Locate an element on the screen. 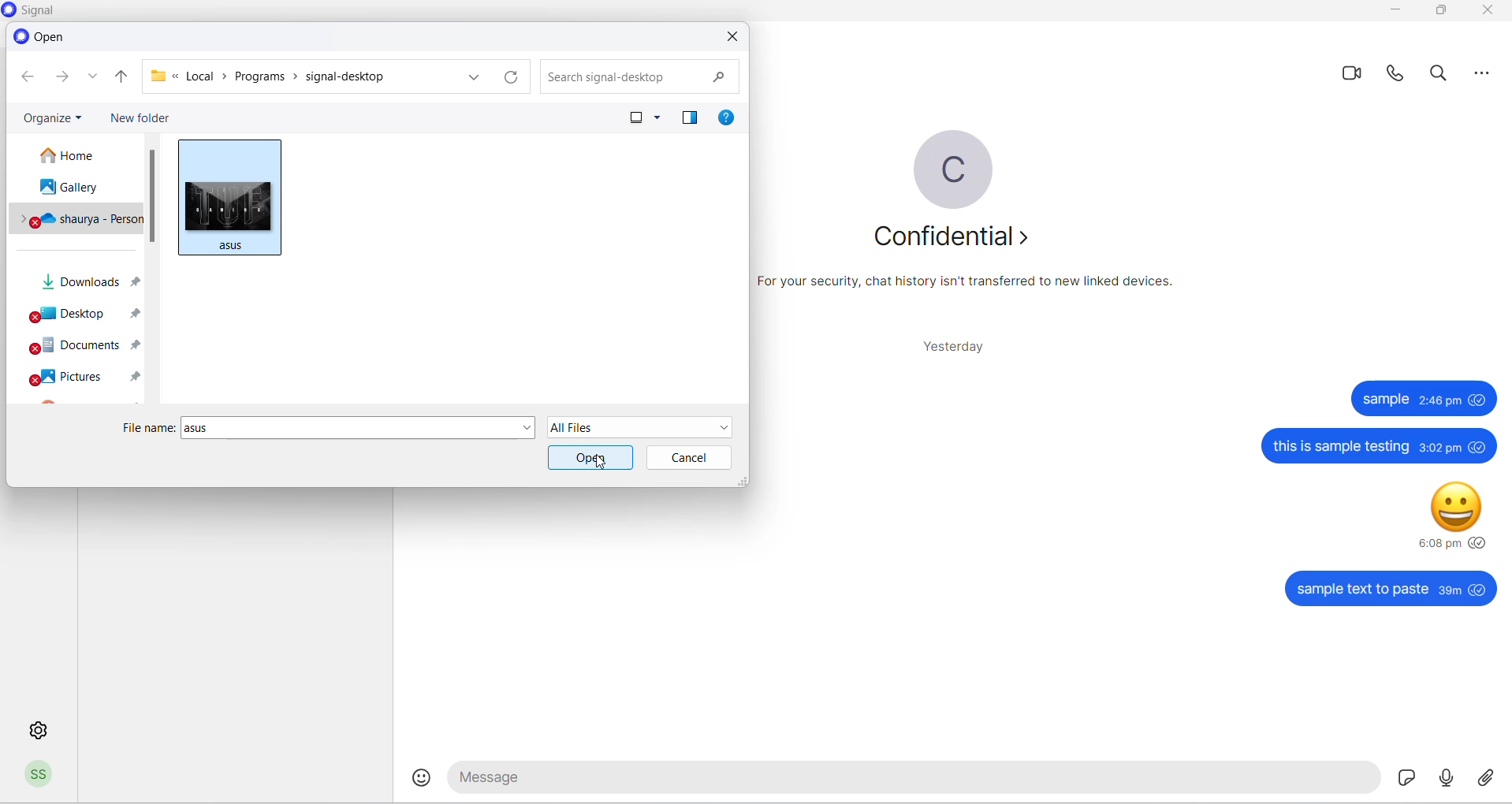 The image size is (1512, 804). emojis is located at coordinates (423, 778).